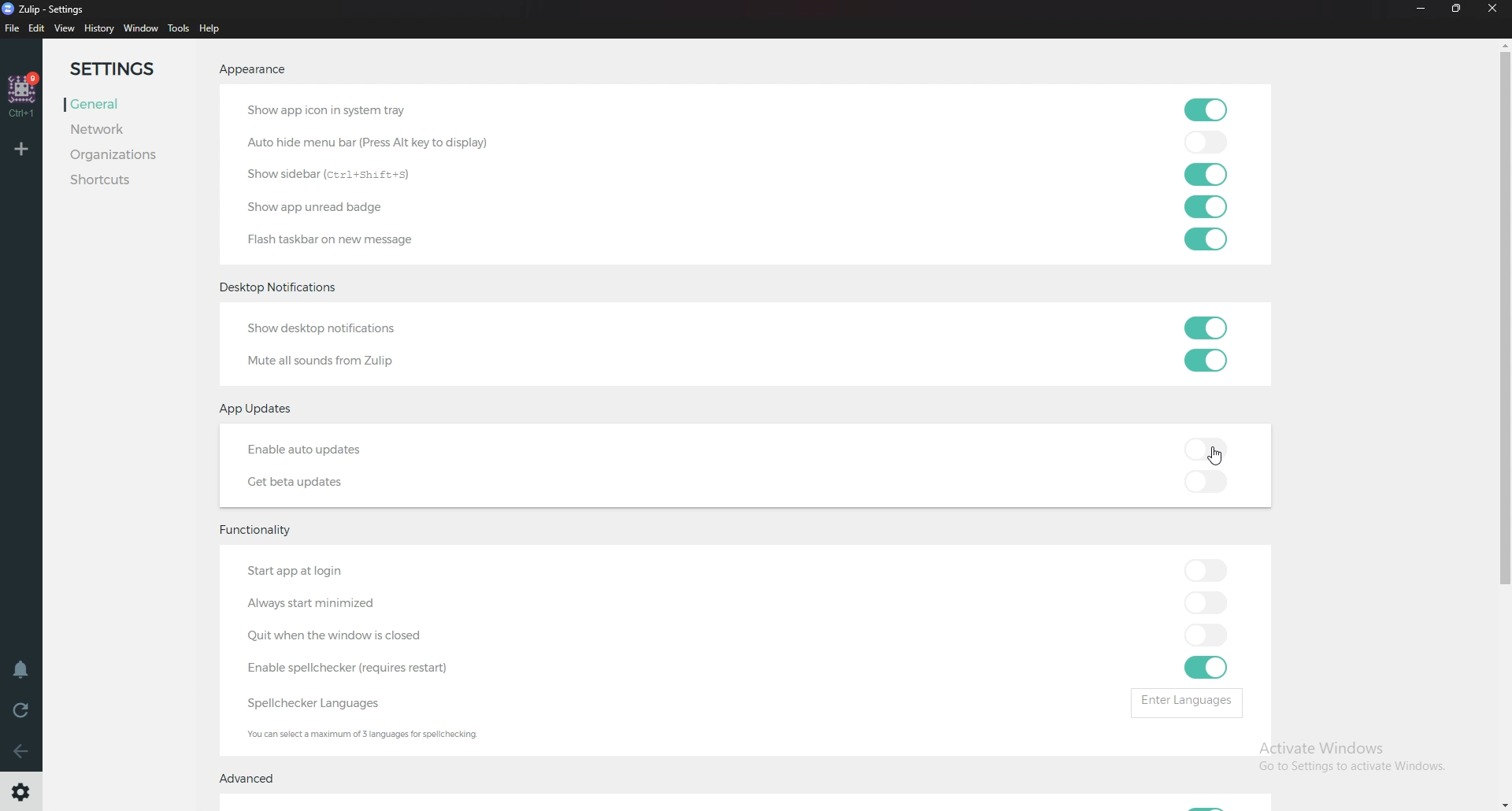 The image size is (1512, 811). What do you see at coordinates (1206, 141) in the screenshot?
I see `toggle` at bounding box center [1206, 141].